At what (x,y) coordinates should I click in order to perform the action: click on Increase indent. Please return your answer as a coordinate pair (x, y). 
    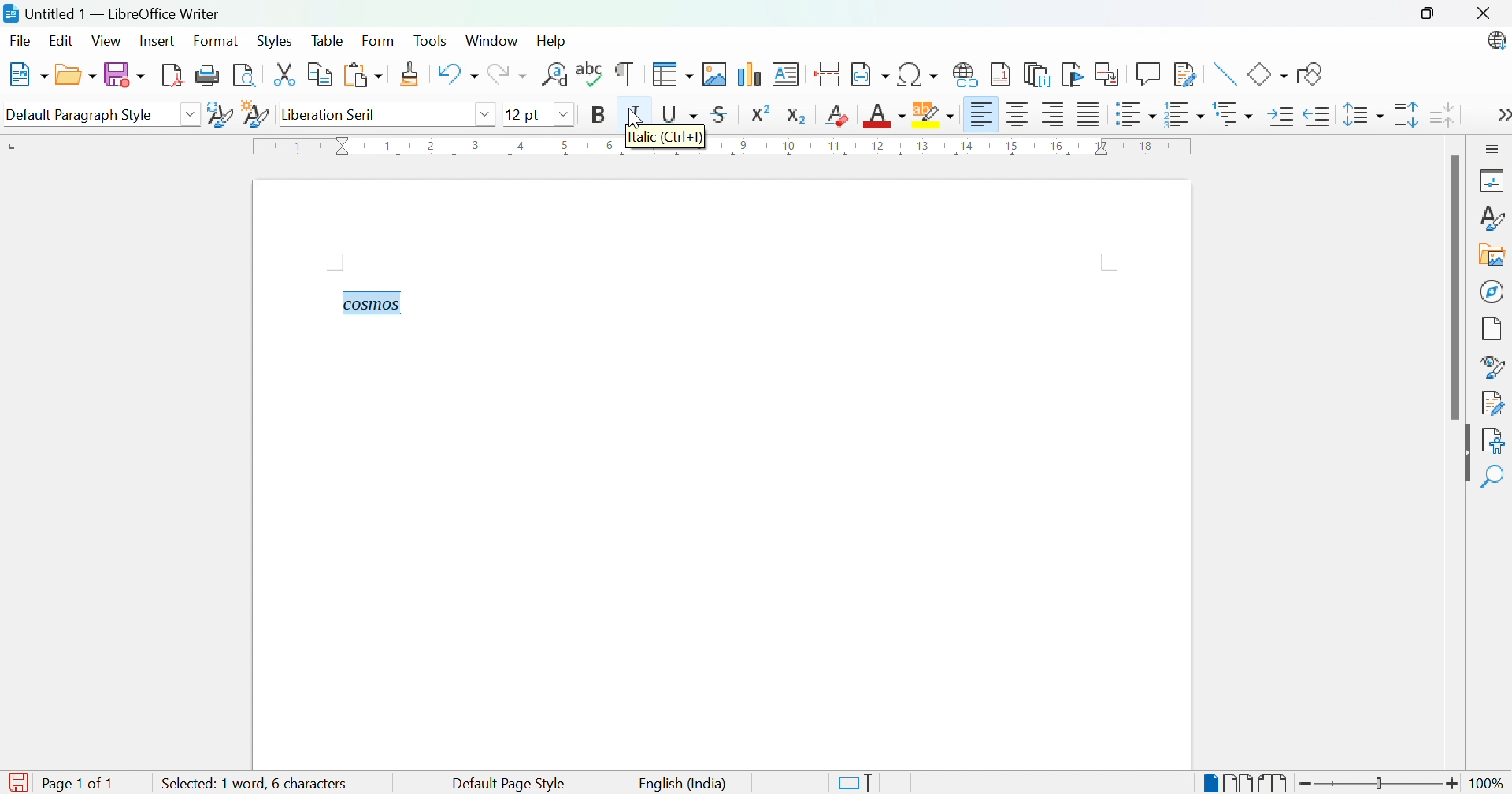
    Looking at the image, I should click on (1280, 115).